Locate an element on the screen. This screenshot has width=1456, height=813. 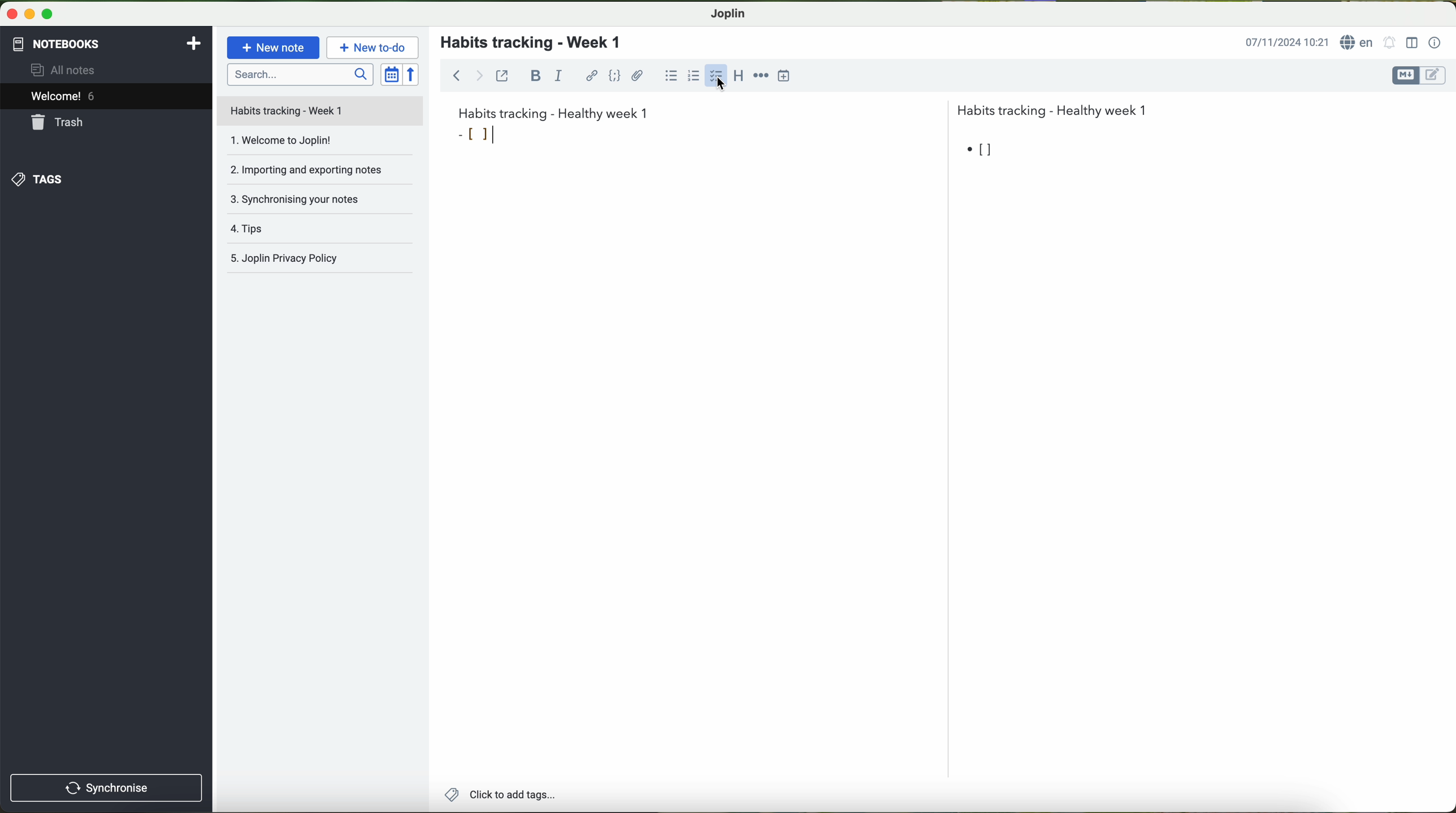
bold is located at coordinates (536, 76).